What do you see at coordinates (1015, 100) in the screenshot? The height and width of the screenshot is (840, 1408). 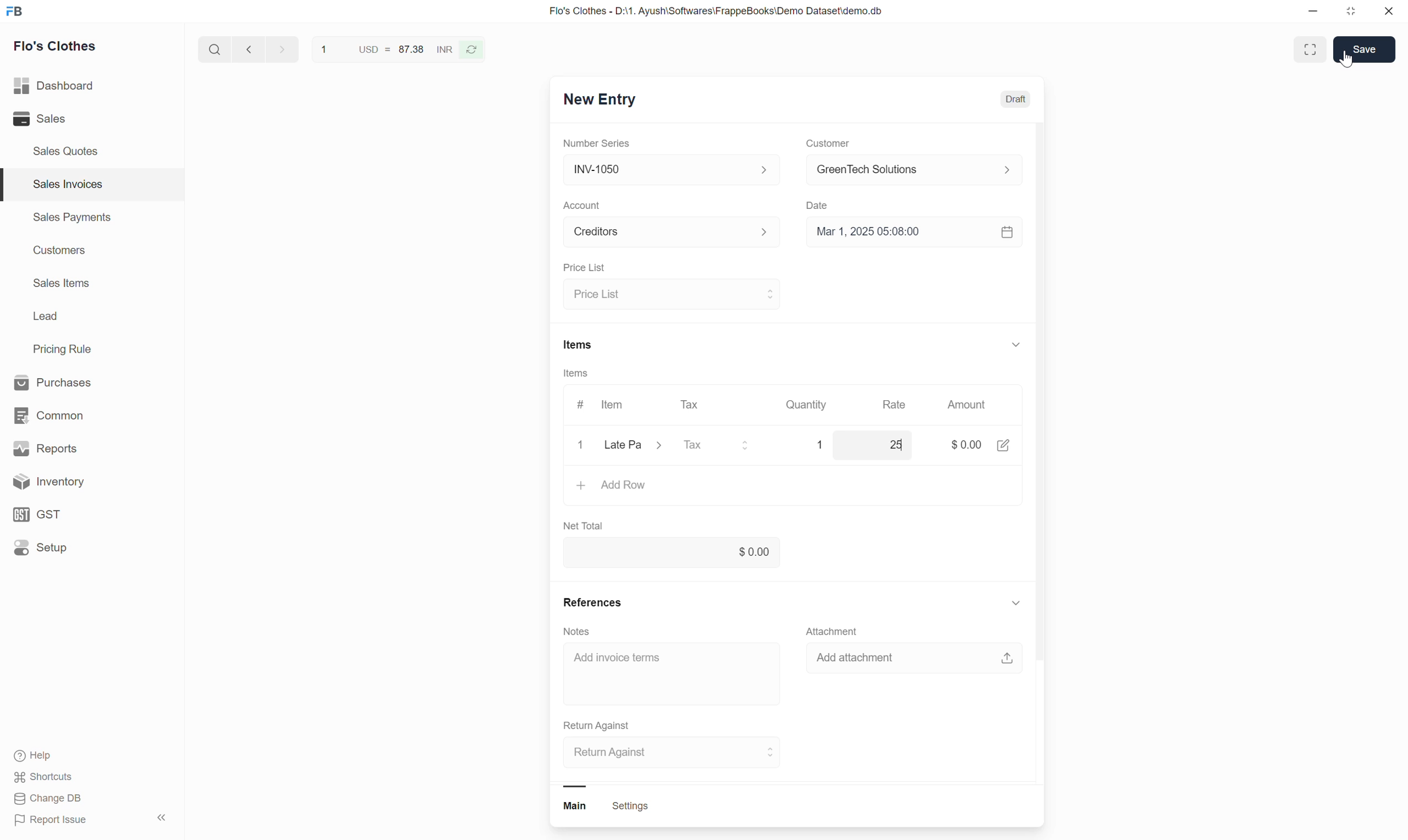 I see `Draft` at bounding box center [1015, 100].